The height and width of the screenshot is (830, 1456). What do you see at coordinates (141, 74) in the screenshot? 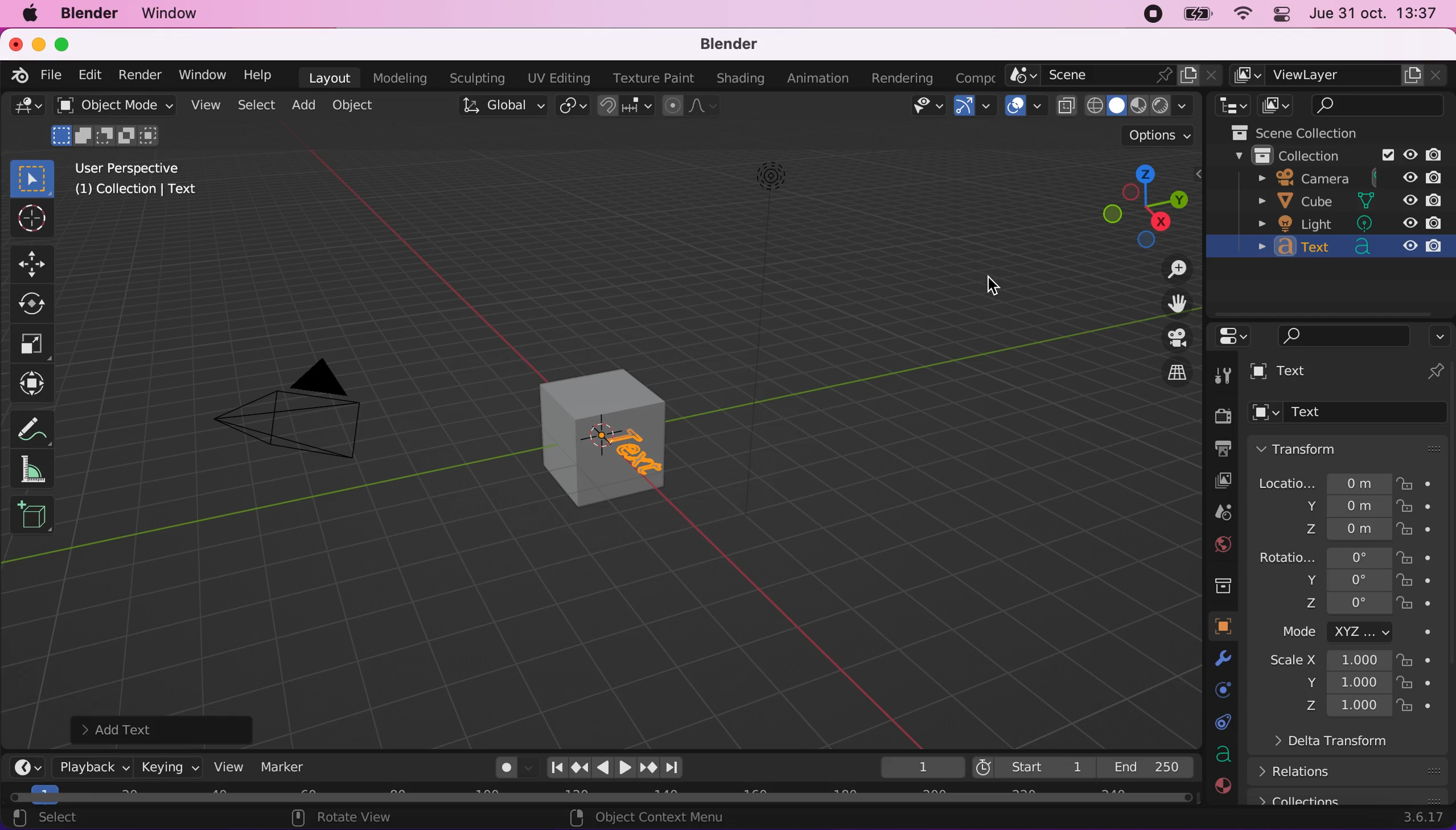
I see `render` at bounding box center [141, 74].